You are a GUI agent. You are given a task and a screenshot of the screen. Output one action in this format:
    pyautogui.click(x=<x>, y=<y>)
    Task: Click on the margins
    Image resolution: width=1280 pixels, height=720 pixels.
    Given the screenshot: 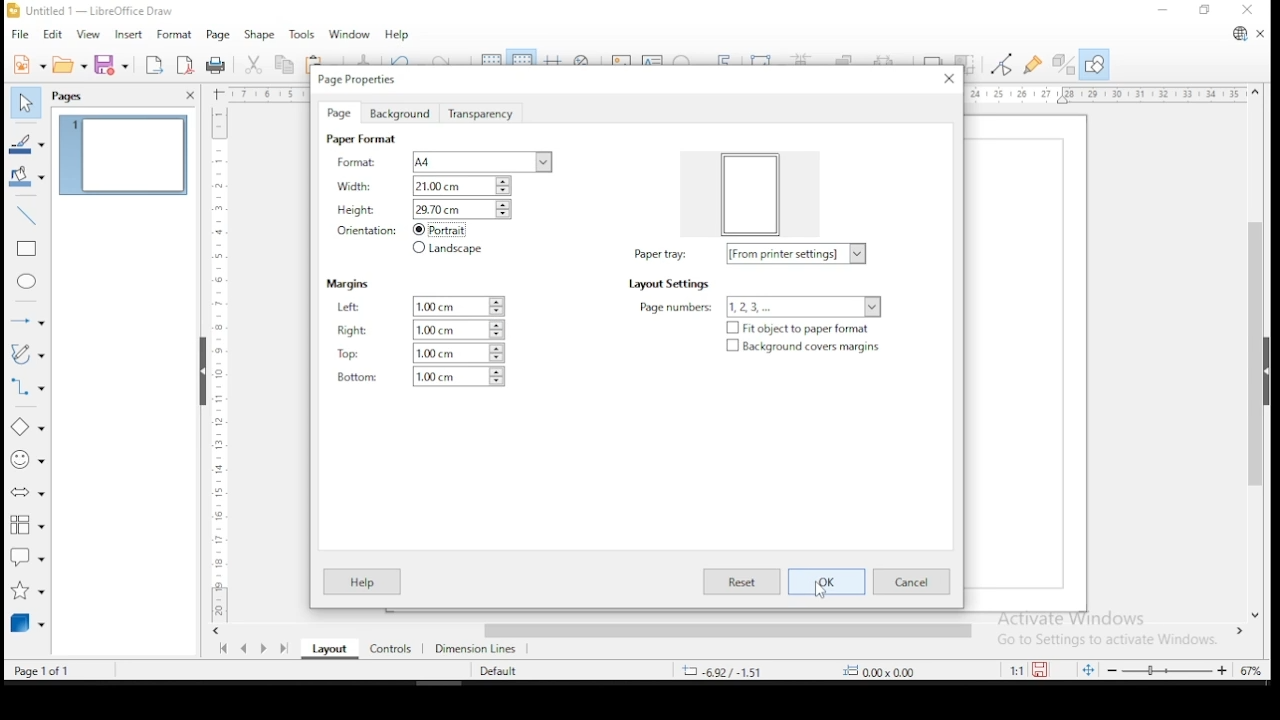 What is the action you would take?
    pyautogui.click(x=350, y=286)
    